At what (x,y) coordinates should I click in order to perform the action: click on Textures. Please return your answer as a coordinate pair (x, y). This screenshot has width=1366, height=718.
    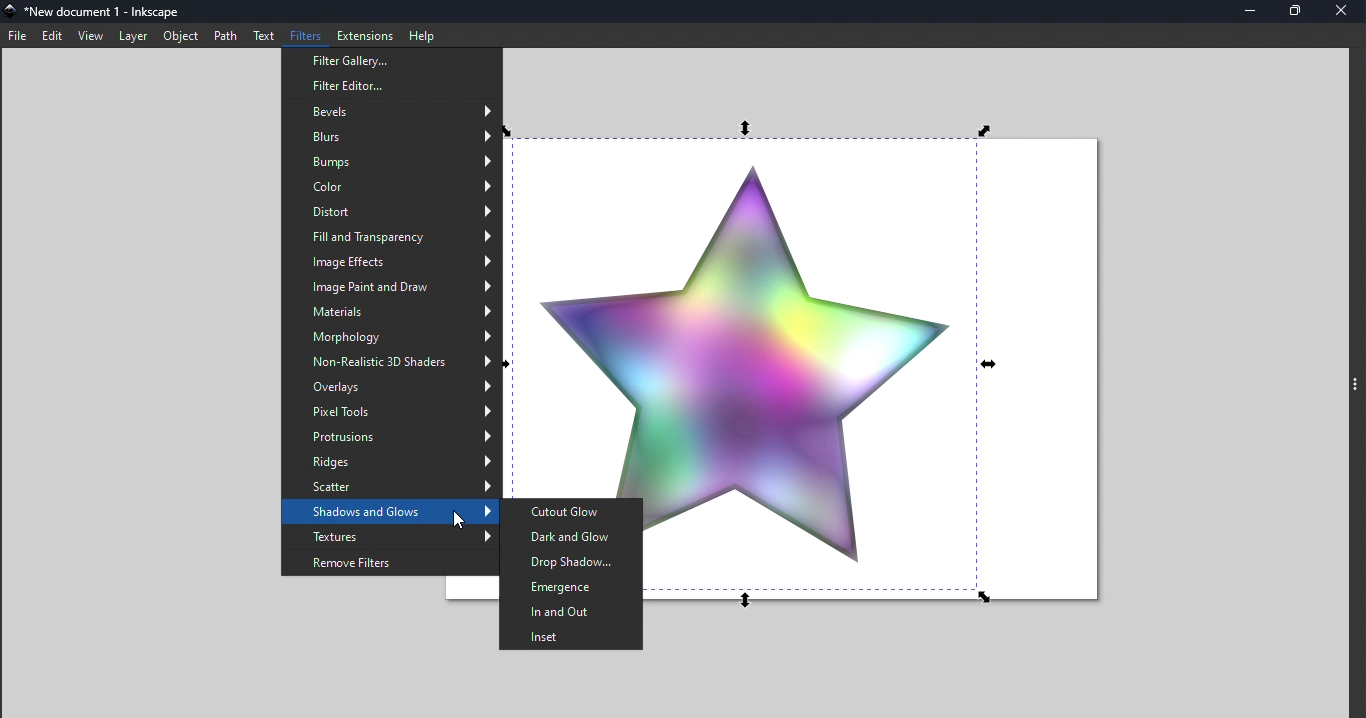
    Looking at the image, I should click on (392, 538).